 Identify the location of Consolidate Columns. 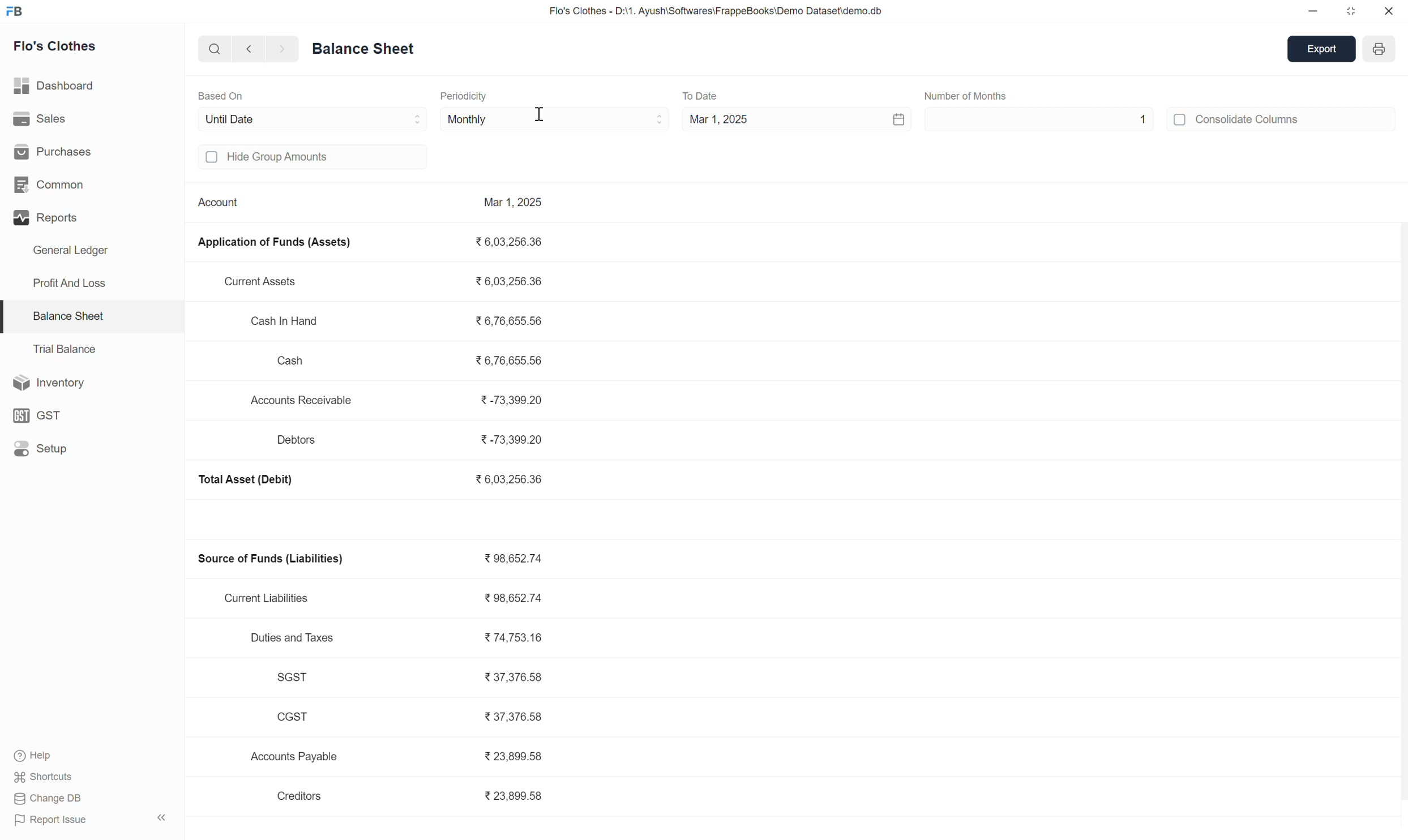
(1253, 119).